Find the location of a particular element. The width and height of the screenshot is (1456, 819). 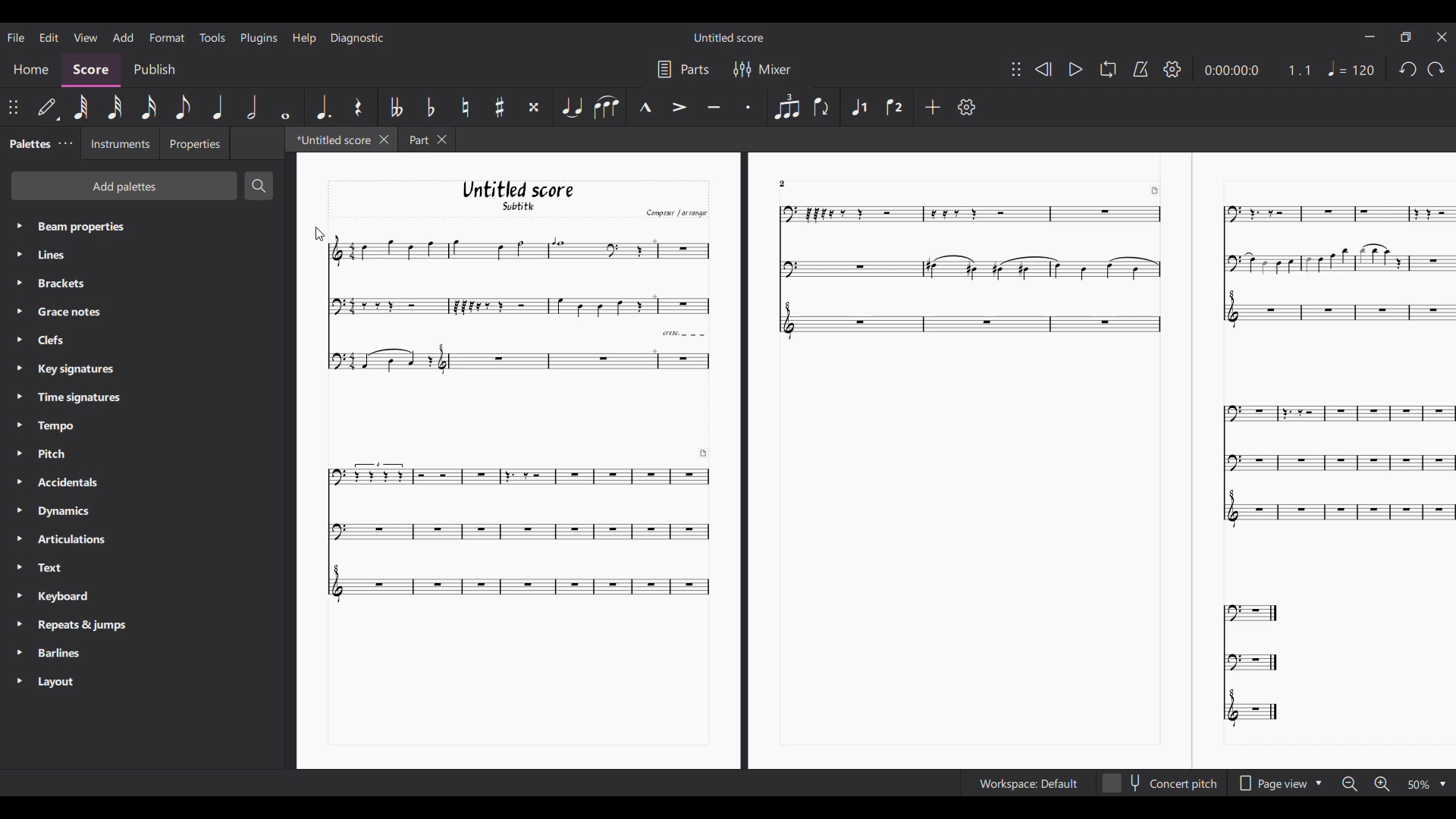

Zoom in is located at coordinates (1381, 784).